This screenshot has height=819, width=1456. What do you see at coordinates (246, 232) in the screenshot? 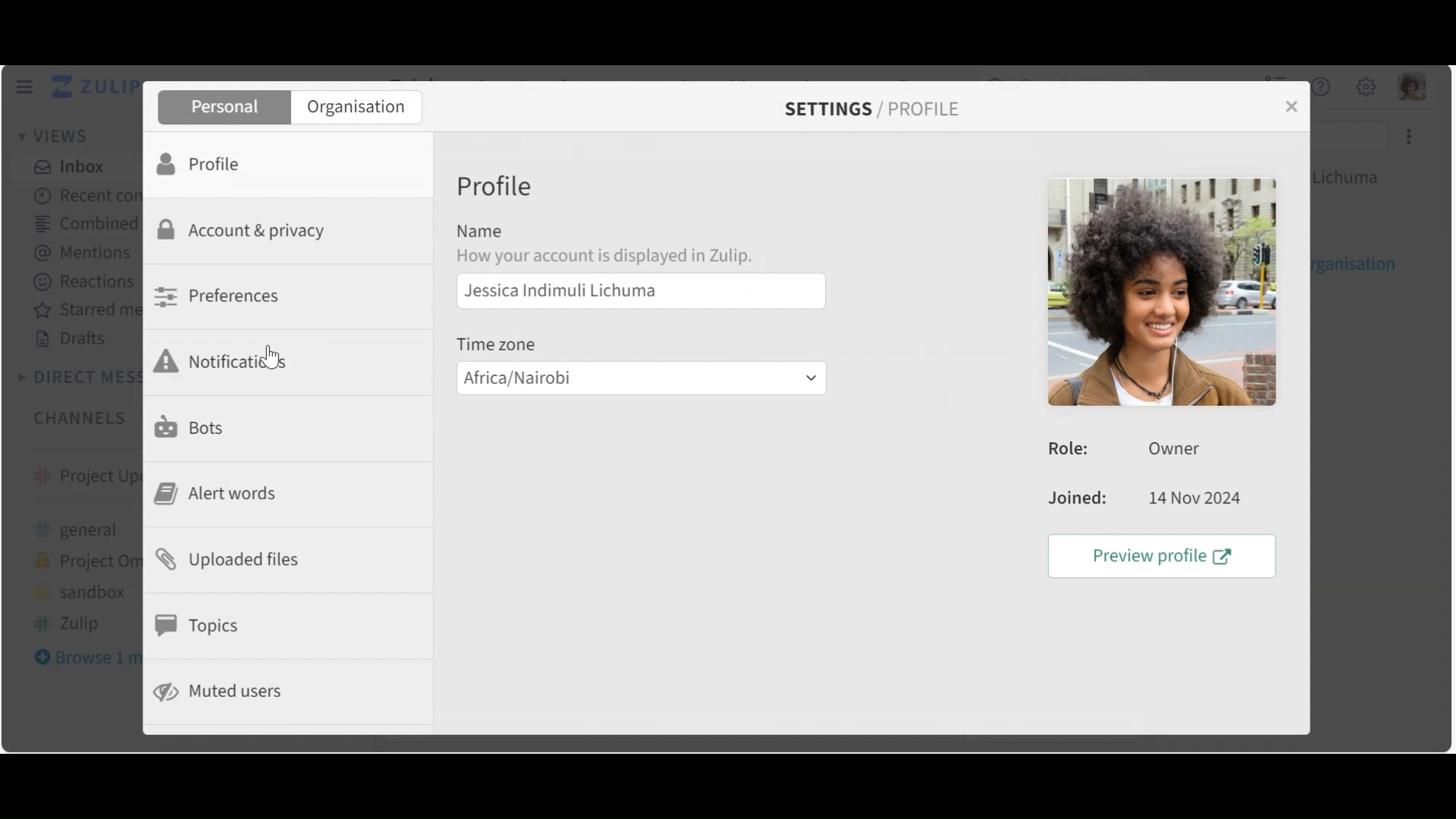
I see `Account & Privacy` at bounding box center [246, 232].